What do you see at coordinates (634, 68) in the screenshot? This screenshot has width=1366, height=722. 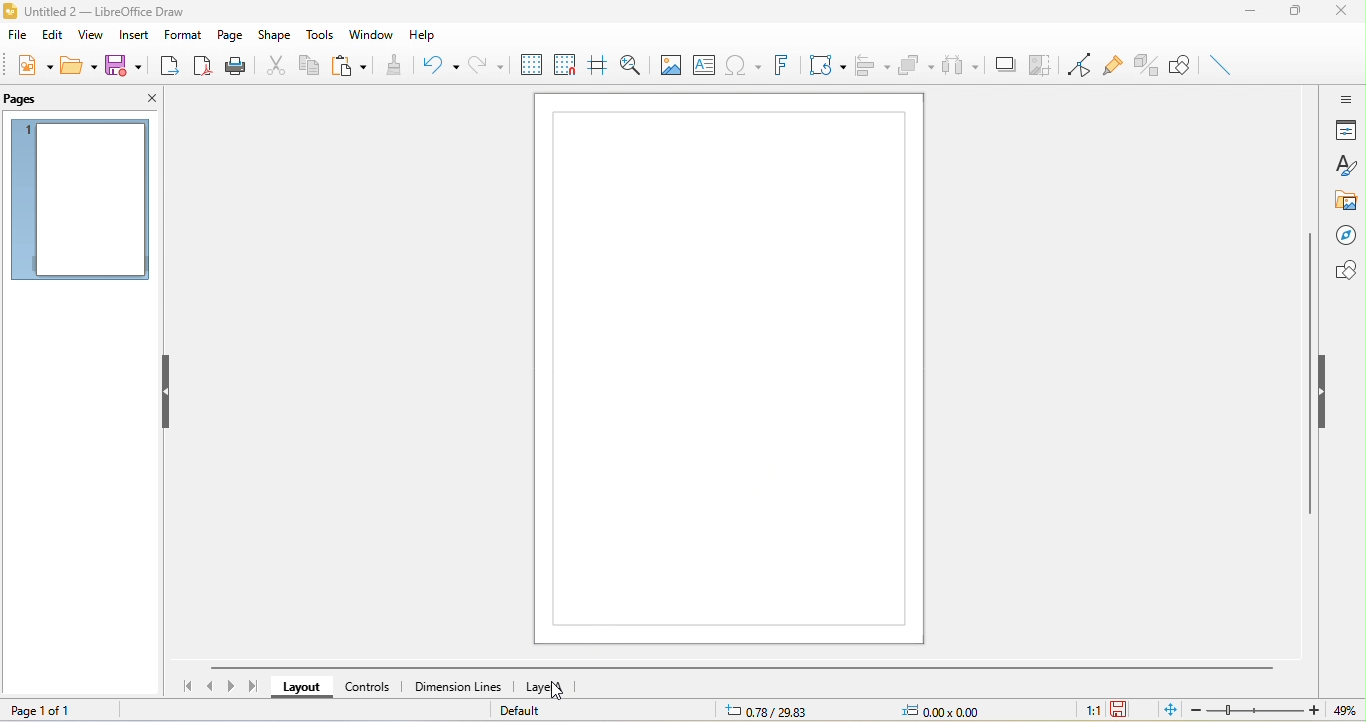 I see `zoom and pan` at bounding box center [634, 68].